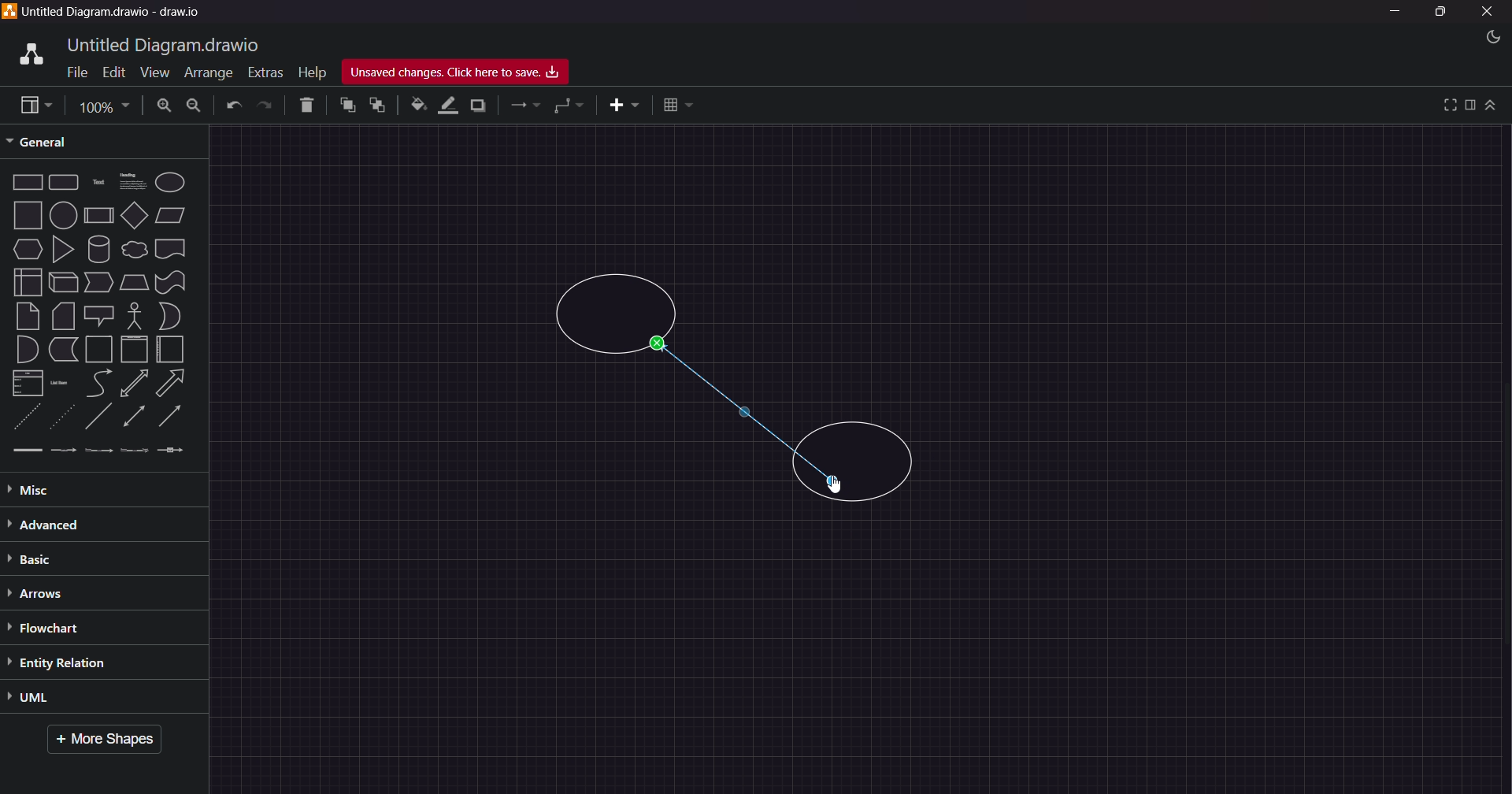 The image size is (1512, 794). I want to click on Advanced, so click(79, 524).